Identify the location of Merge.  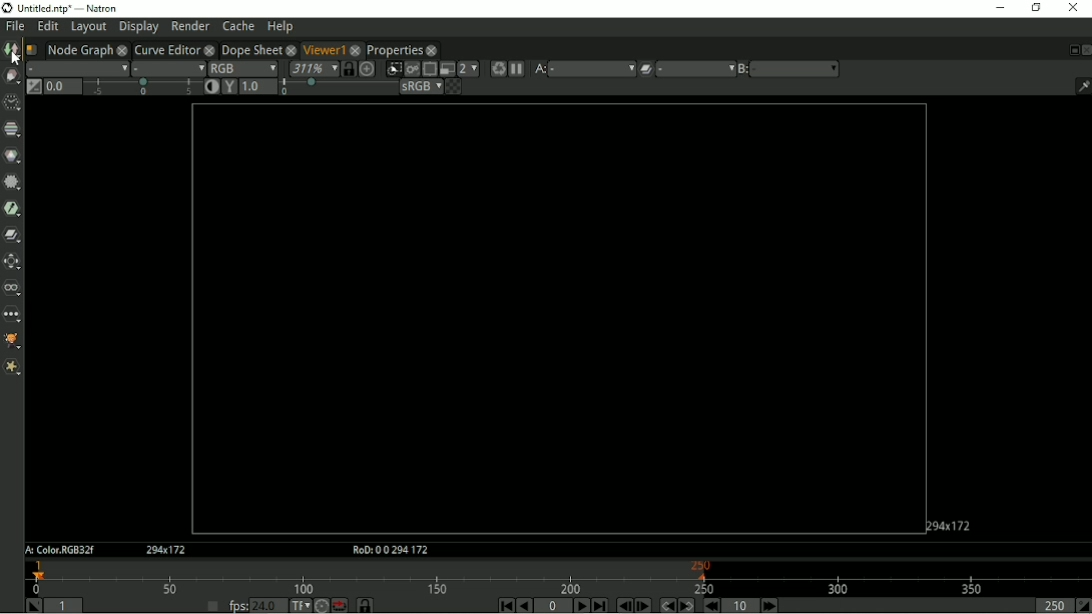
(13, 234).